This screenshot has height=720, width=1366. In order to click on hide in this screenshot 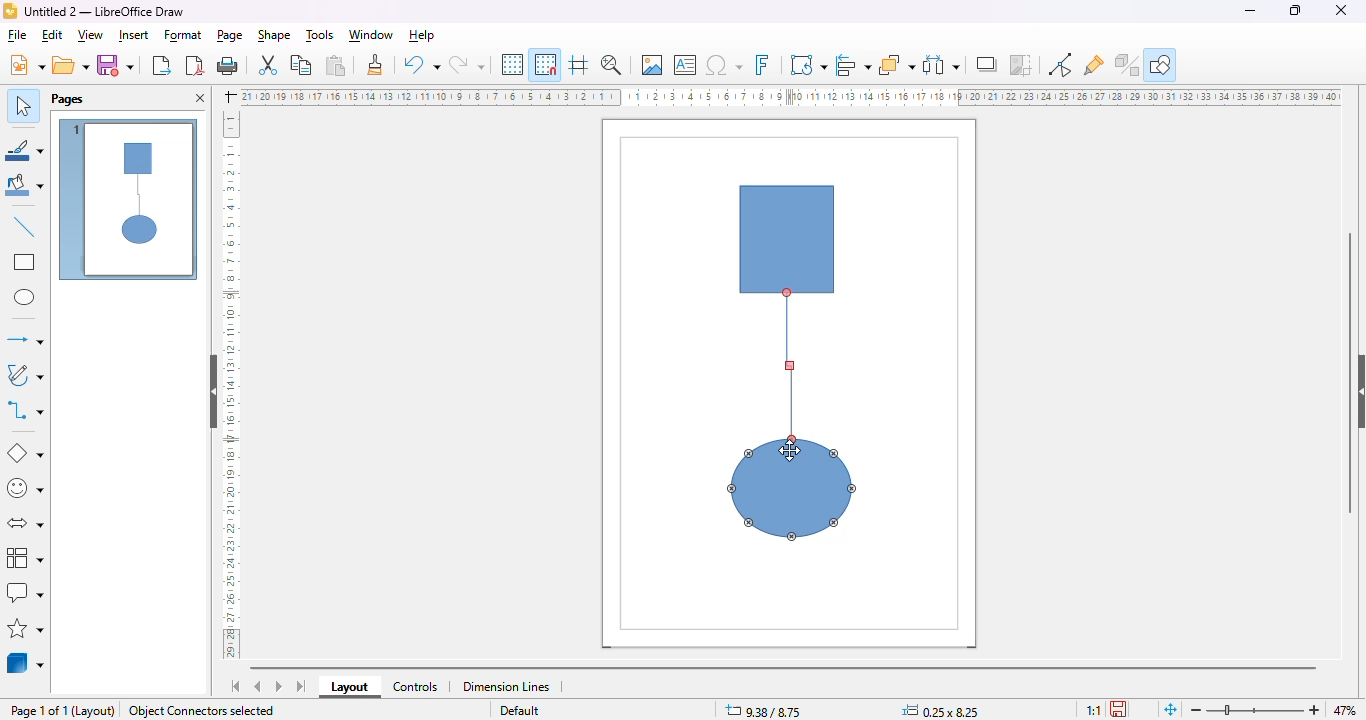, I will do `click(215, 392)`.